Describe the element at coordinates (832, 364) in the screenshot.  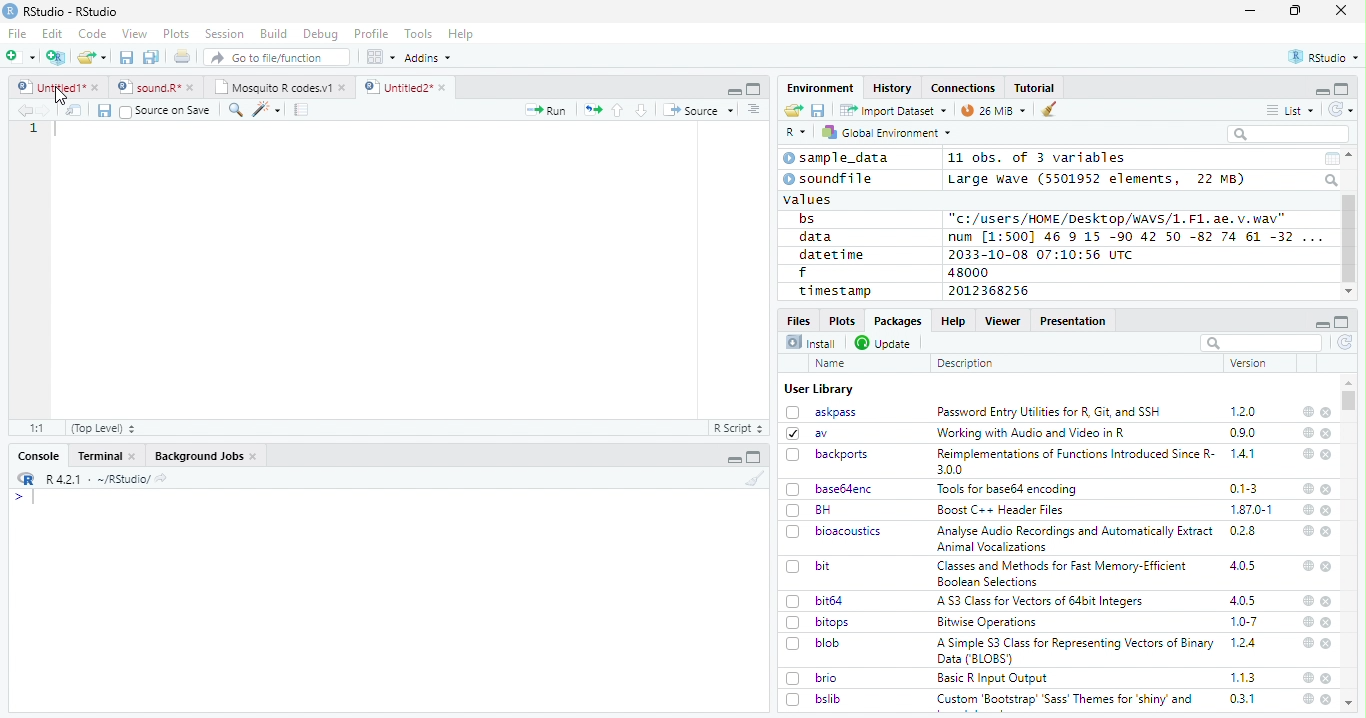
I see `Name` at that location.